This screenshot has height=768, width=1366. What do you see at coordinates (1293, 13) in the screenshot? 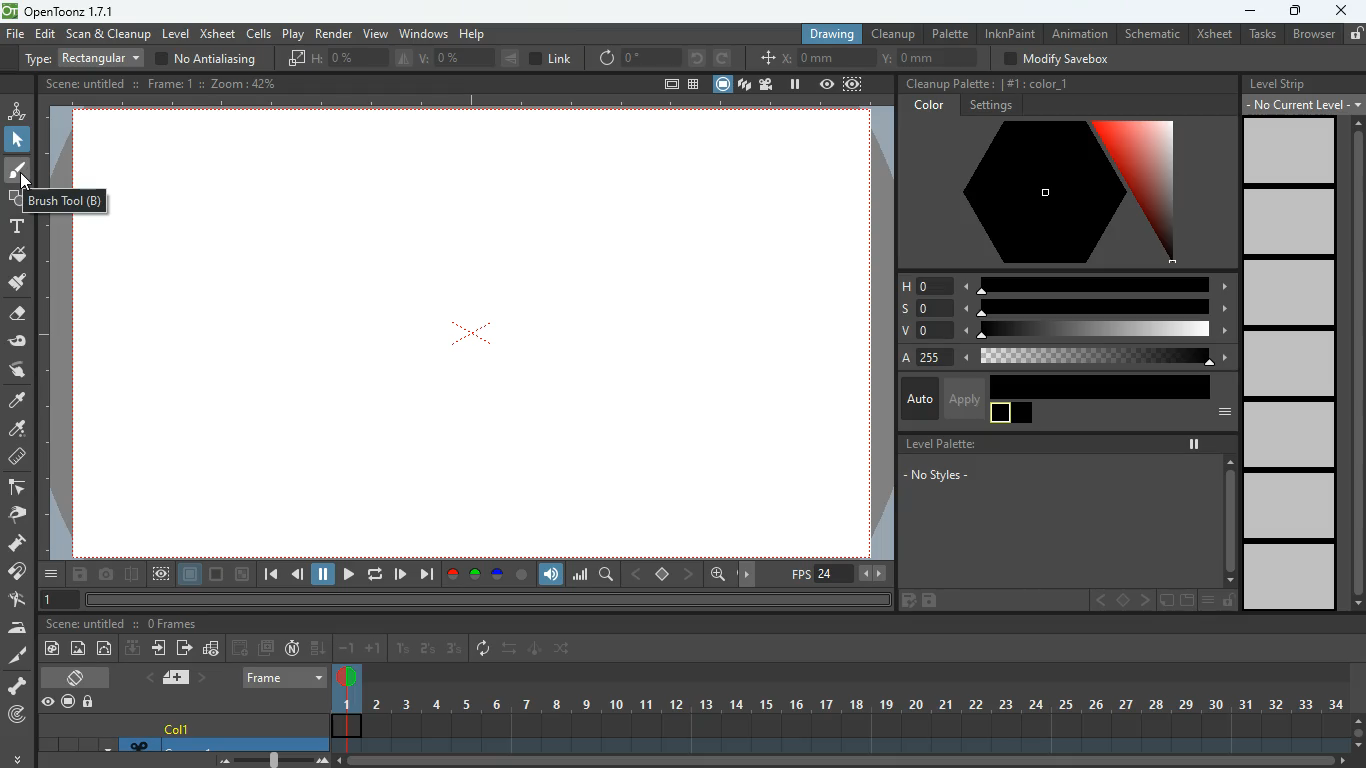
I see `maximize` at bounding box center [1293, 13].